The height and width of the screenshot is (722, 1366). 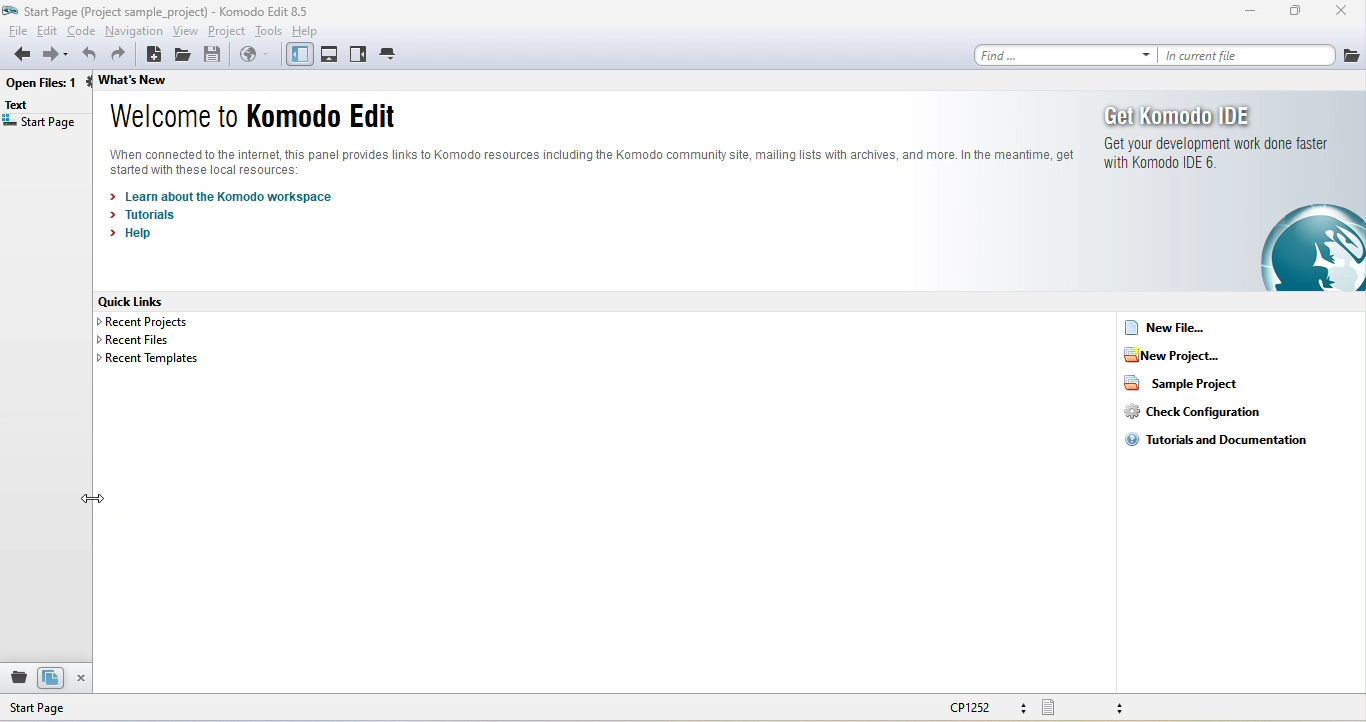 What do you see at coordinates (991, 709) in the screenshot?
I see `cp1252` at bounding box center [991, 709].